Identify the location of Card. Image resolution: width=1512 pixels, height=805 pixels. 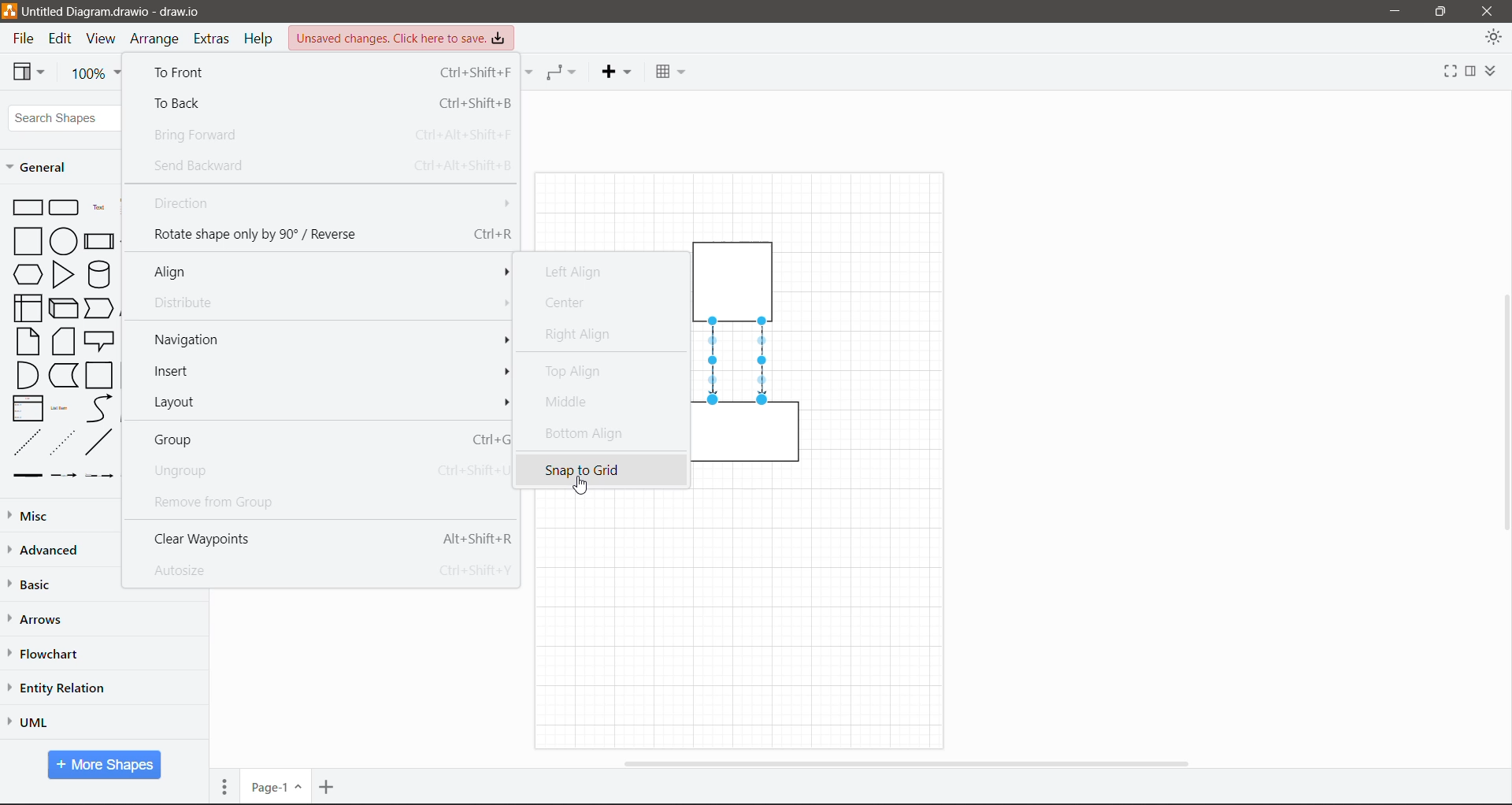
(63, 341).